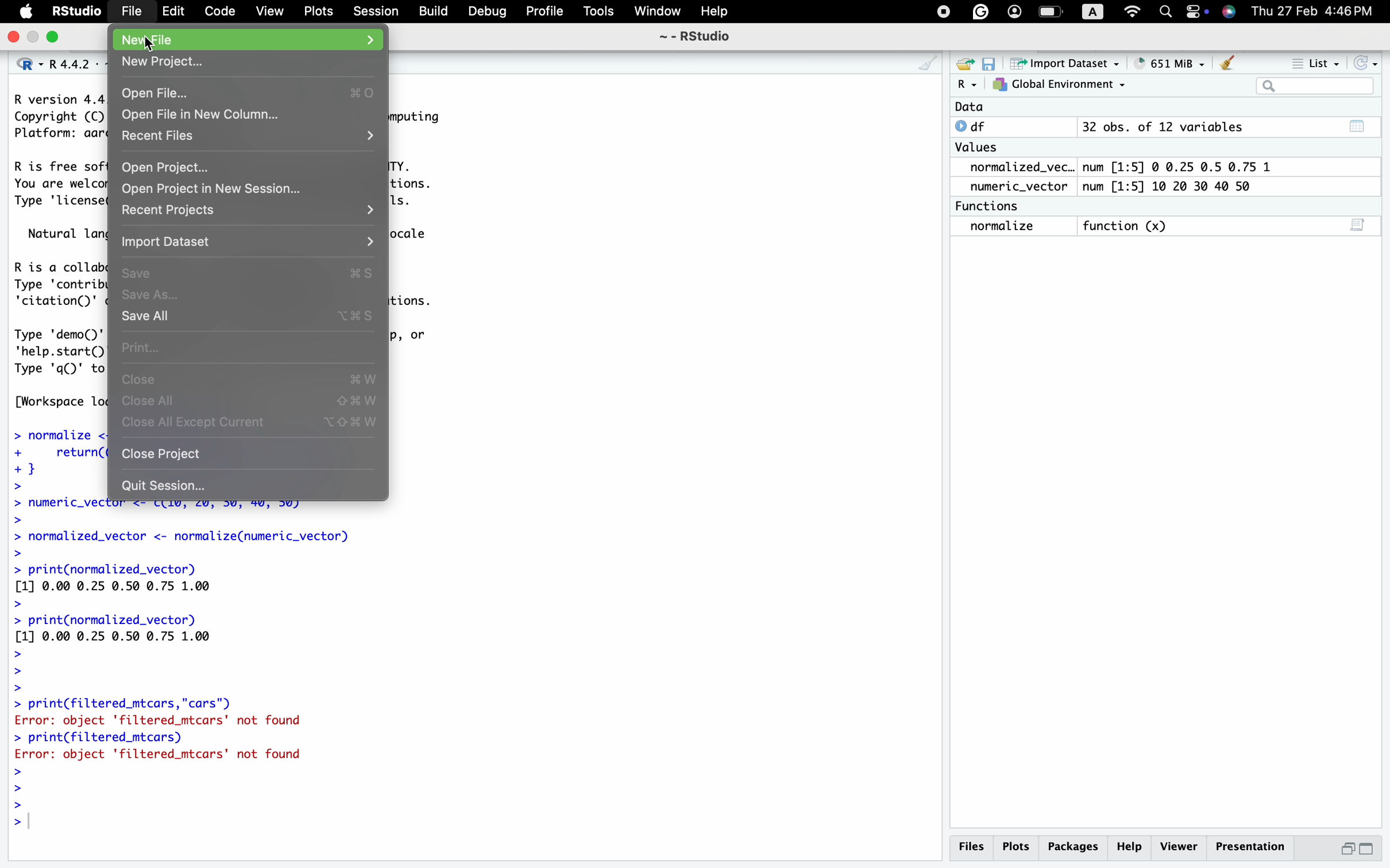 Image resolution: width=1390 pixels, height=868 pixels. I want to click on Search , so click(1167, 11).